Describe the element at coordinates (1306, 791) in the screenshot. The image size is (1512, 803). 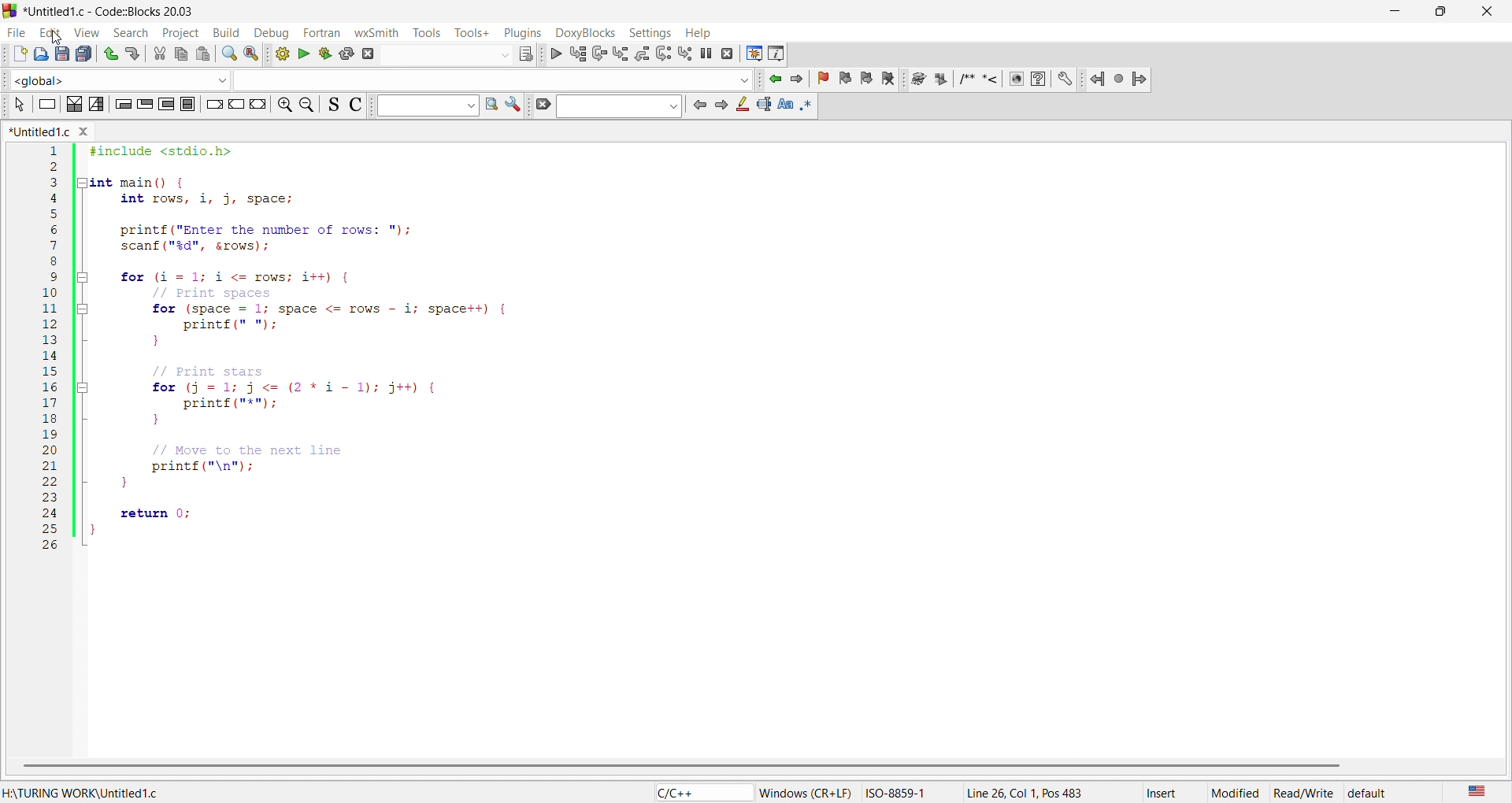
I see `read/write` at that location.